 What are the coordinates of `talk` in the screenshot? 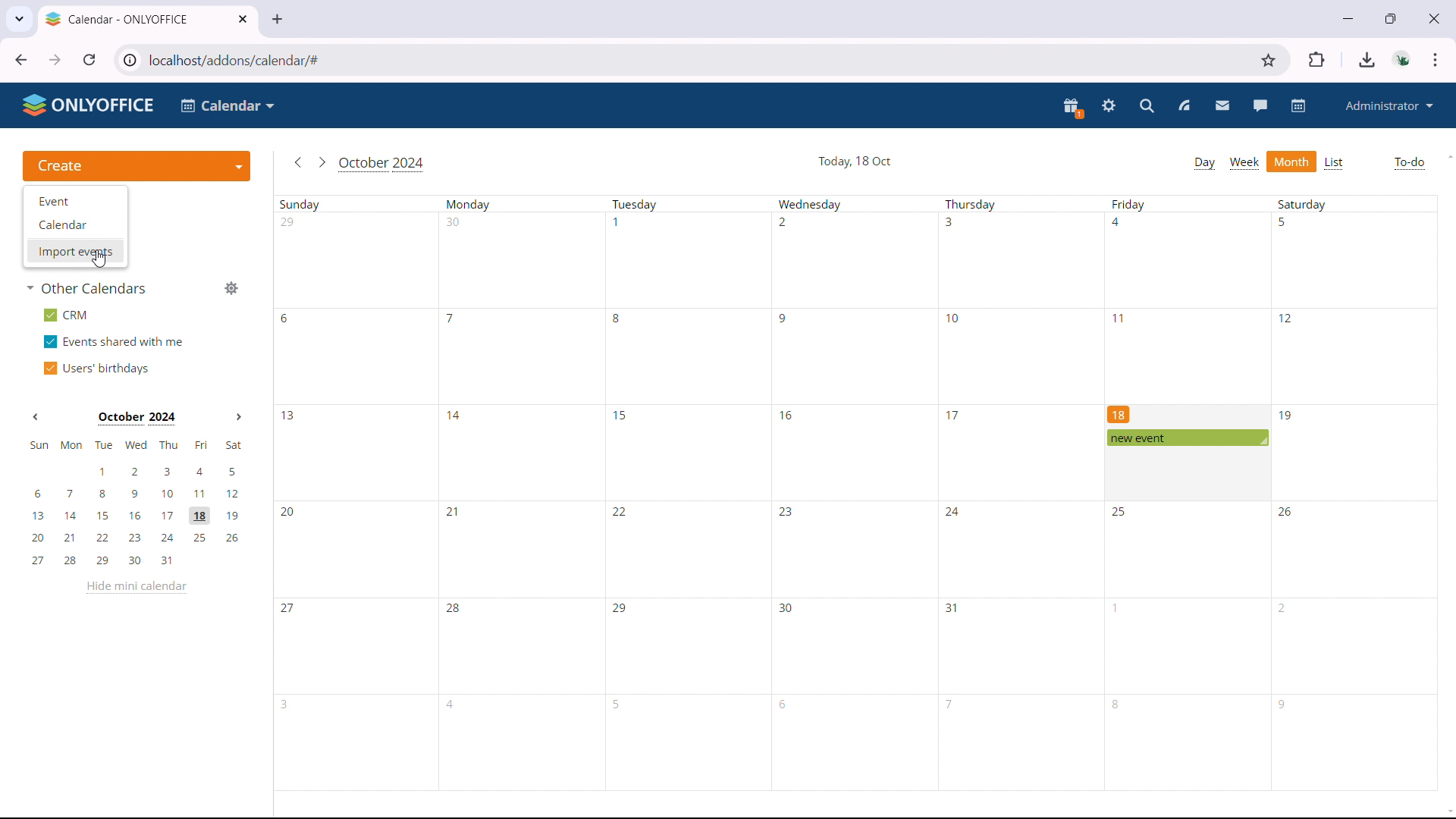 It's located at (1260, 105).